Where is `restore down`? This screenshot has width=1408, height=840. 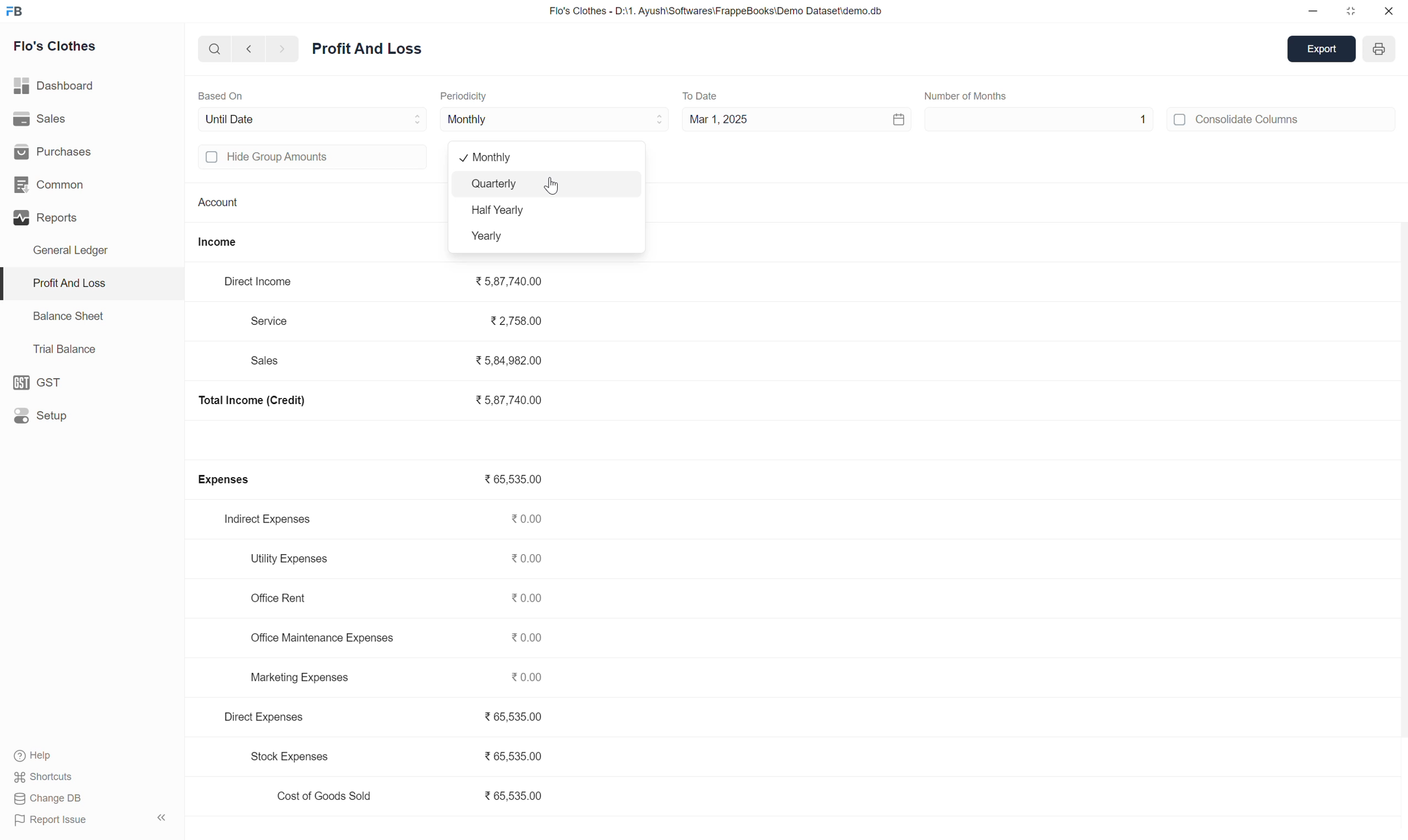
restore down is located at coordinates (1350, 11).